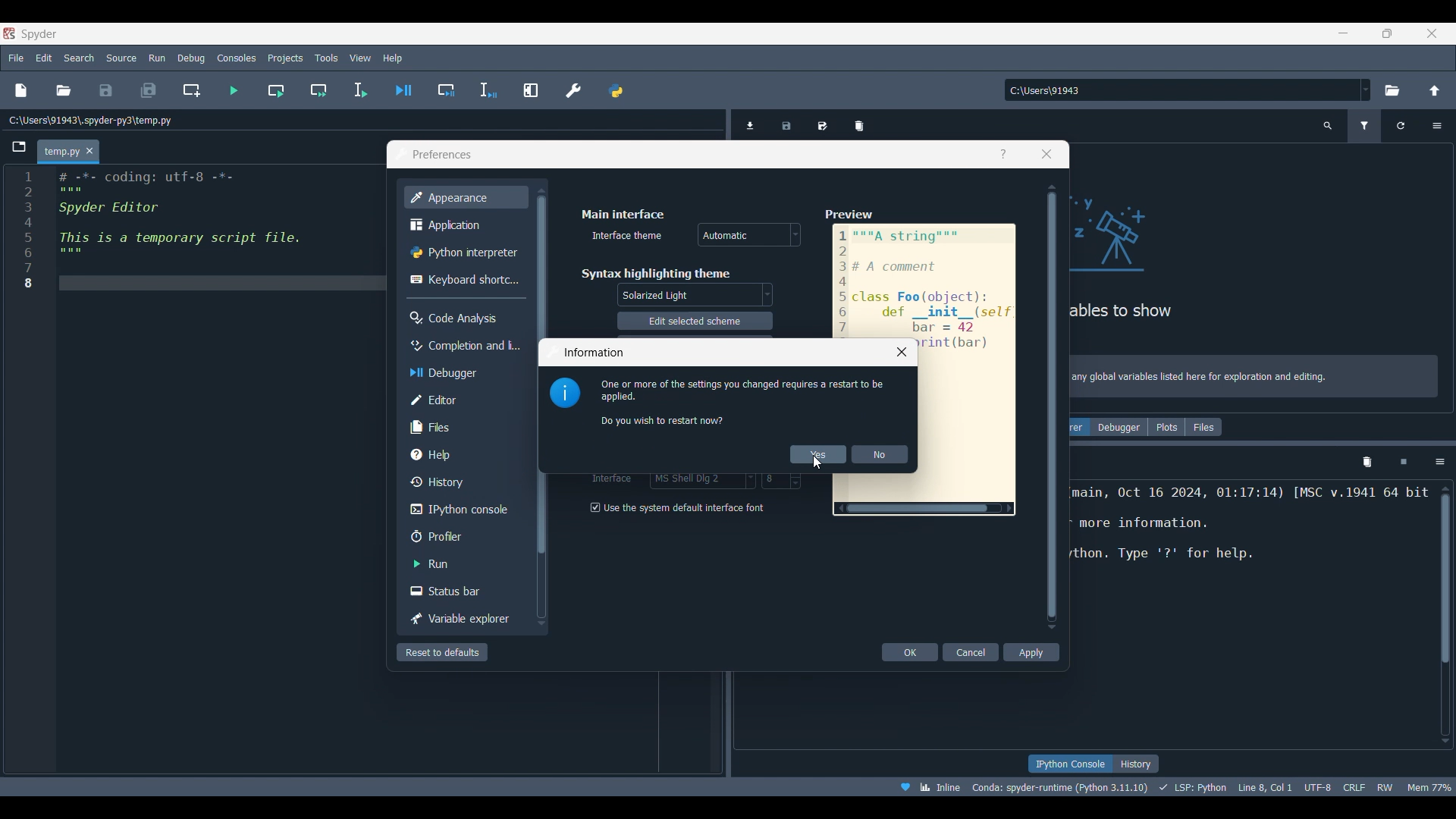  What do you see at coordinates (1053, 406) in the screenshot?
I see `Vertical slide bar` at bounding box center [1053, 406].